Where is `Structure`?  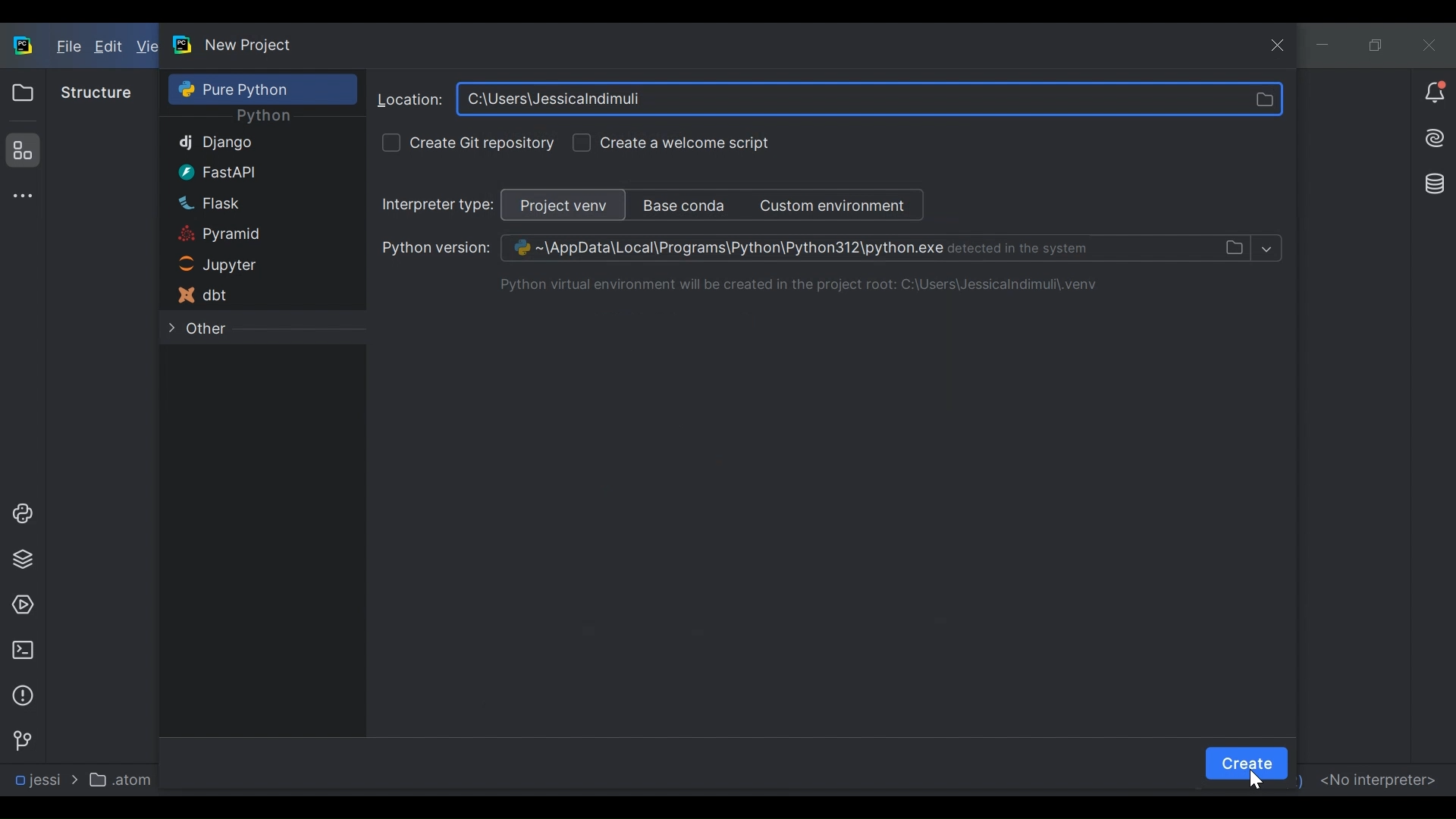
Structure is located at coordinates (96, 93).